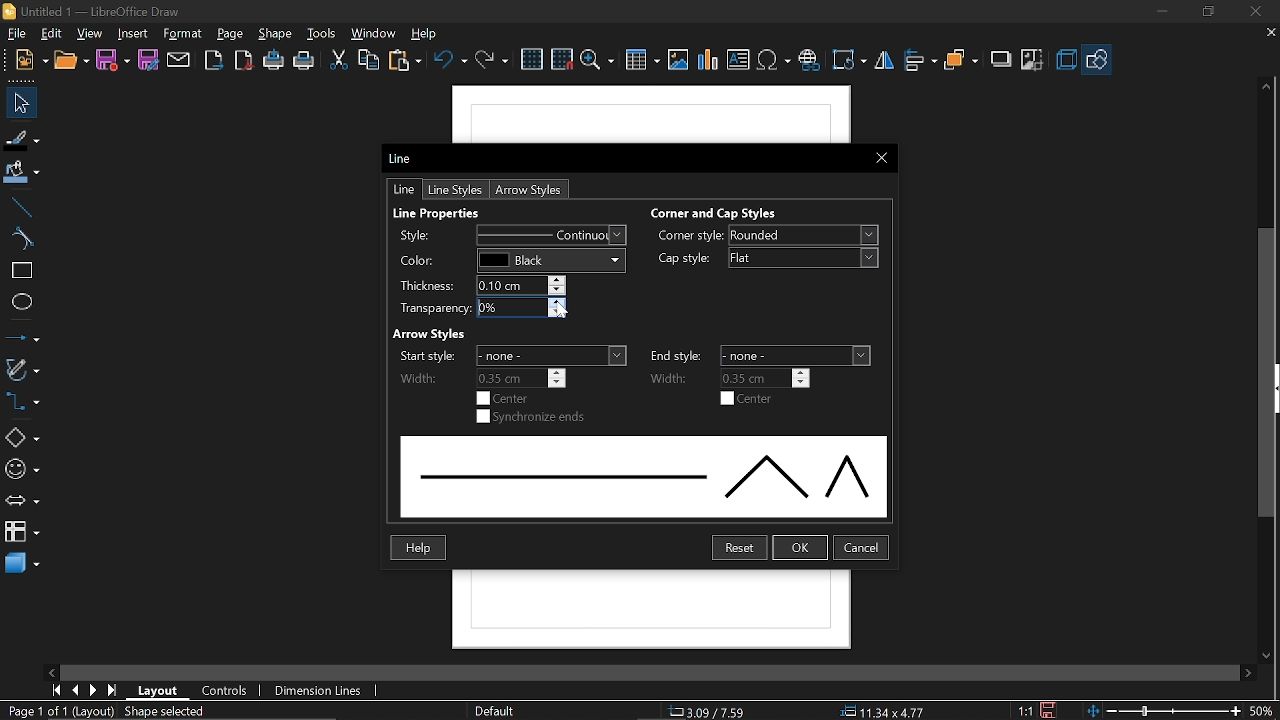 This screenshot has height=720, width=1280. I want to click on File, so click(19, 32).